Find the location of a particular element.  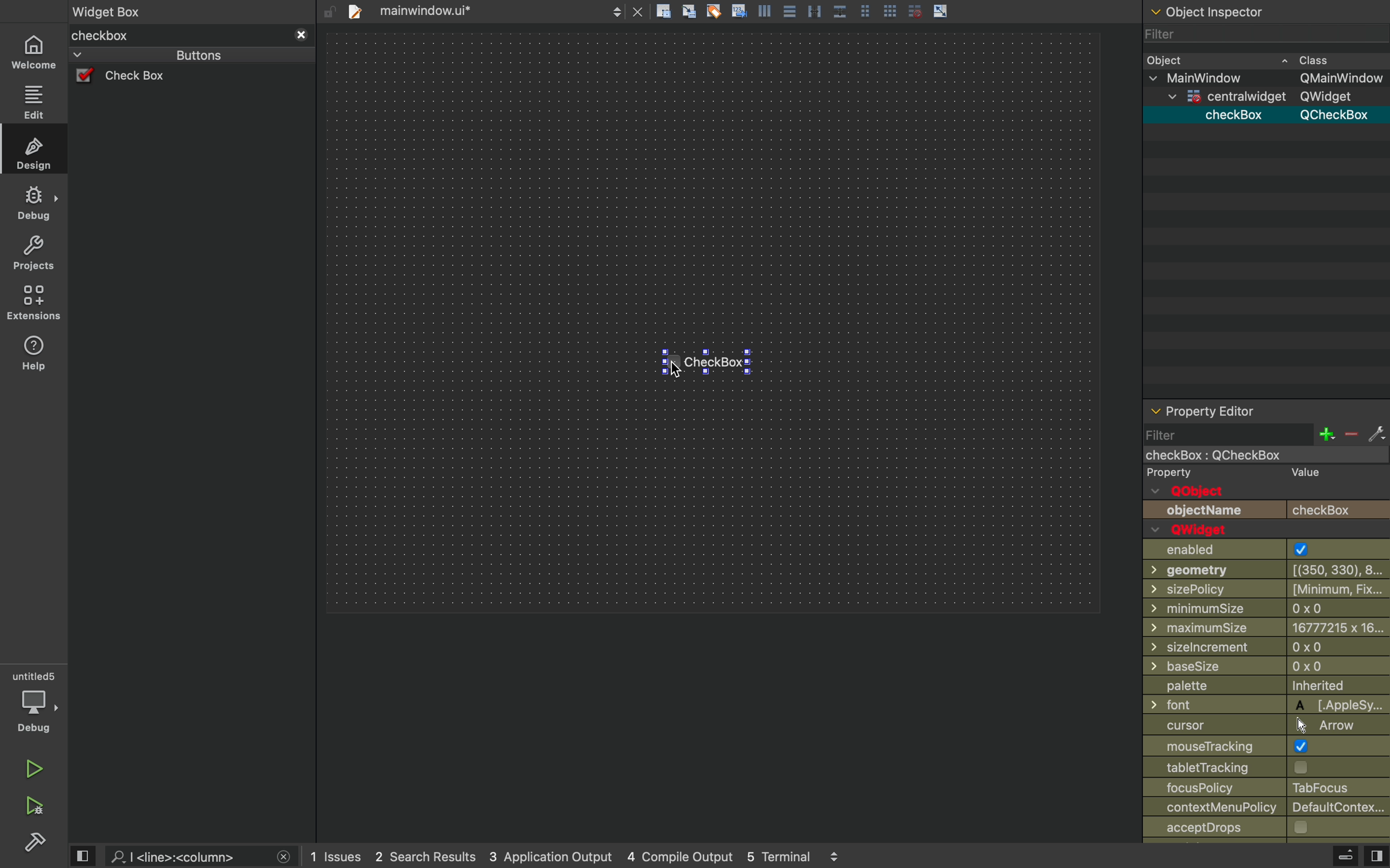

cursor is located at coordinates (1261, 724).